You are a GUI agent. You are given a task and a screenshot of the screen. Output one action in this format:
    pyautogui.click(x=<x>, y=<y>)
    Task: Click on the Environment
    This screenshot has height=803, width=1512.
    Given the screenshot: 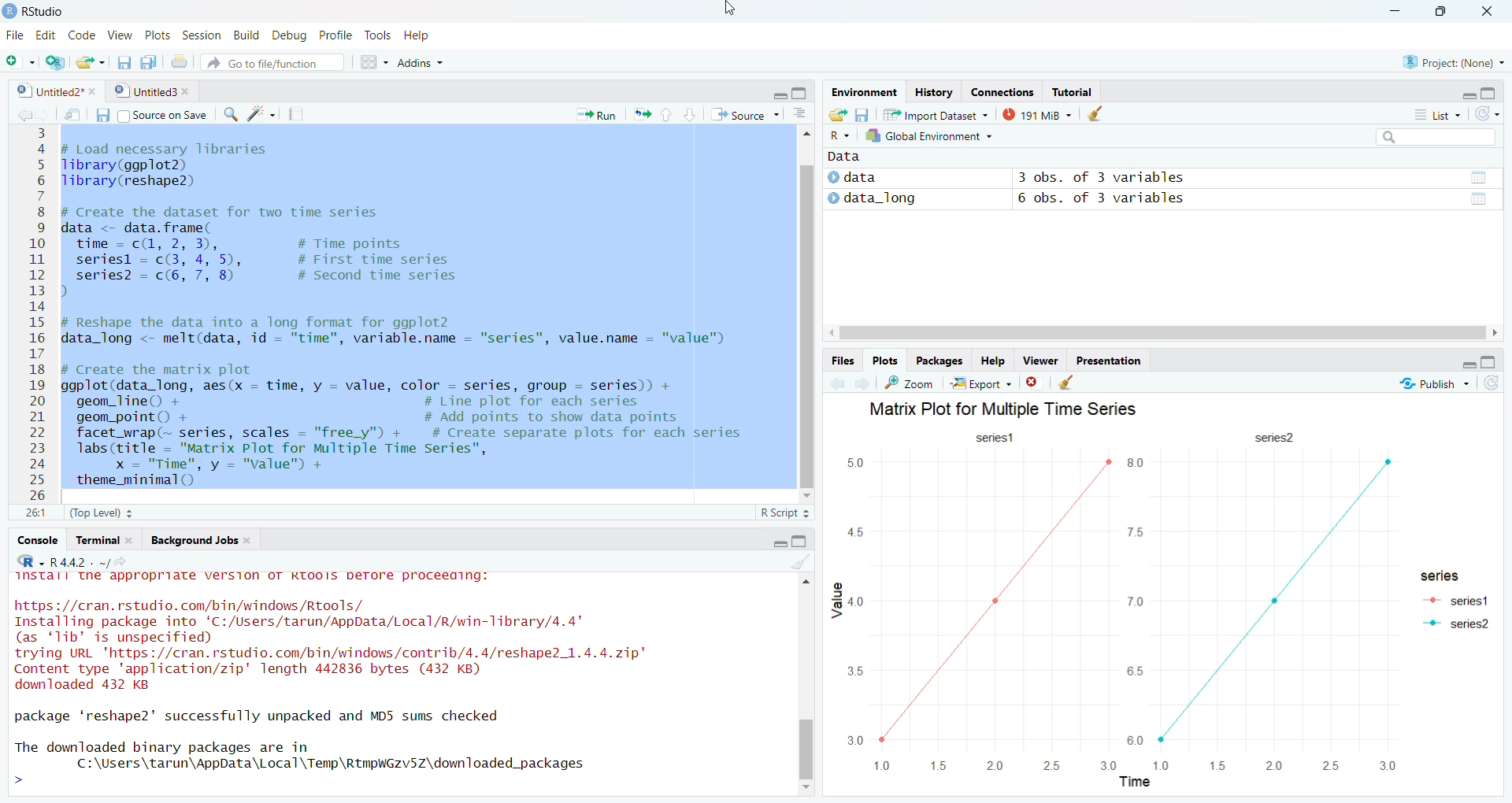 What is the action you would take?
    pyautogui.click(x=862, y=93)
    